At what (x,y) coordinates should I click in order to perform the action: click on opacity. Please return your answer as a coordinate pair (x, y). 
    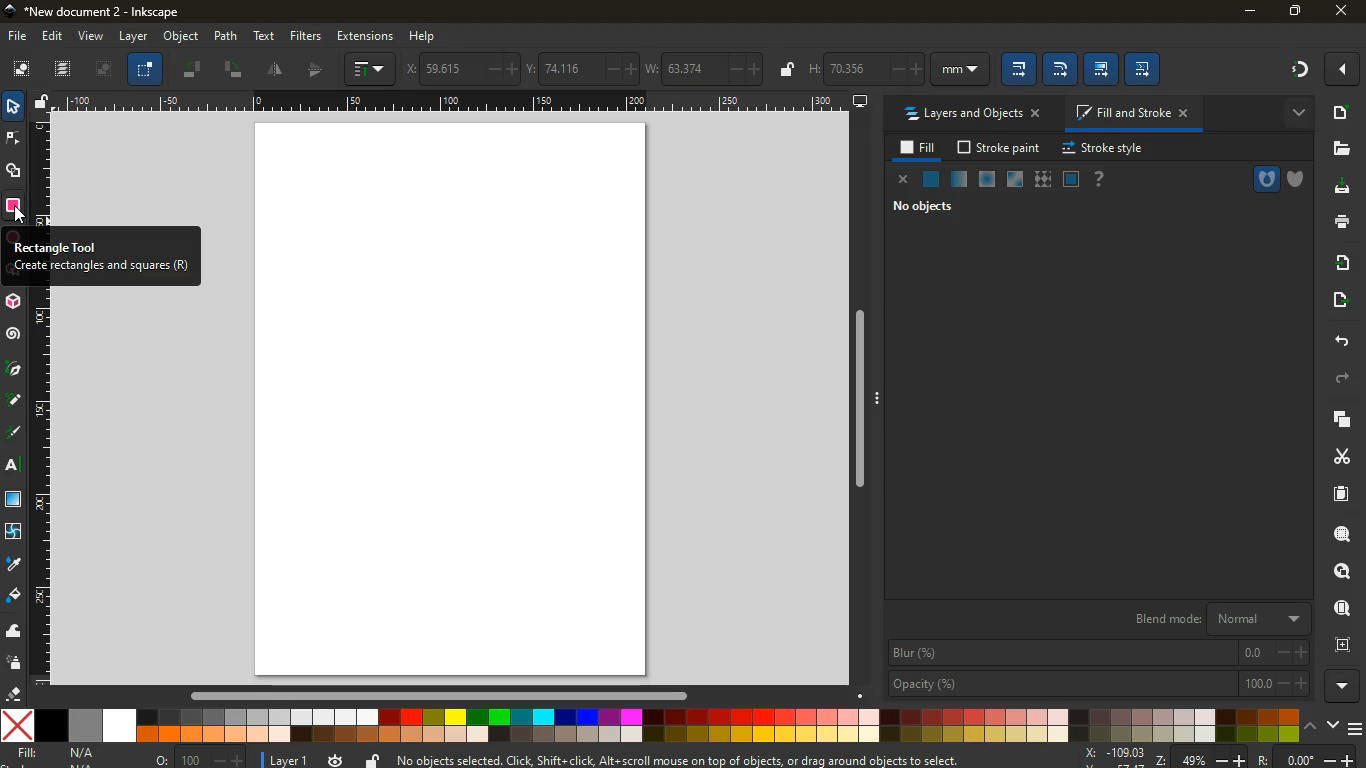
    Looking at the image, I should click on (959, 178).